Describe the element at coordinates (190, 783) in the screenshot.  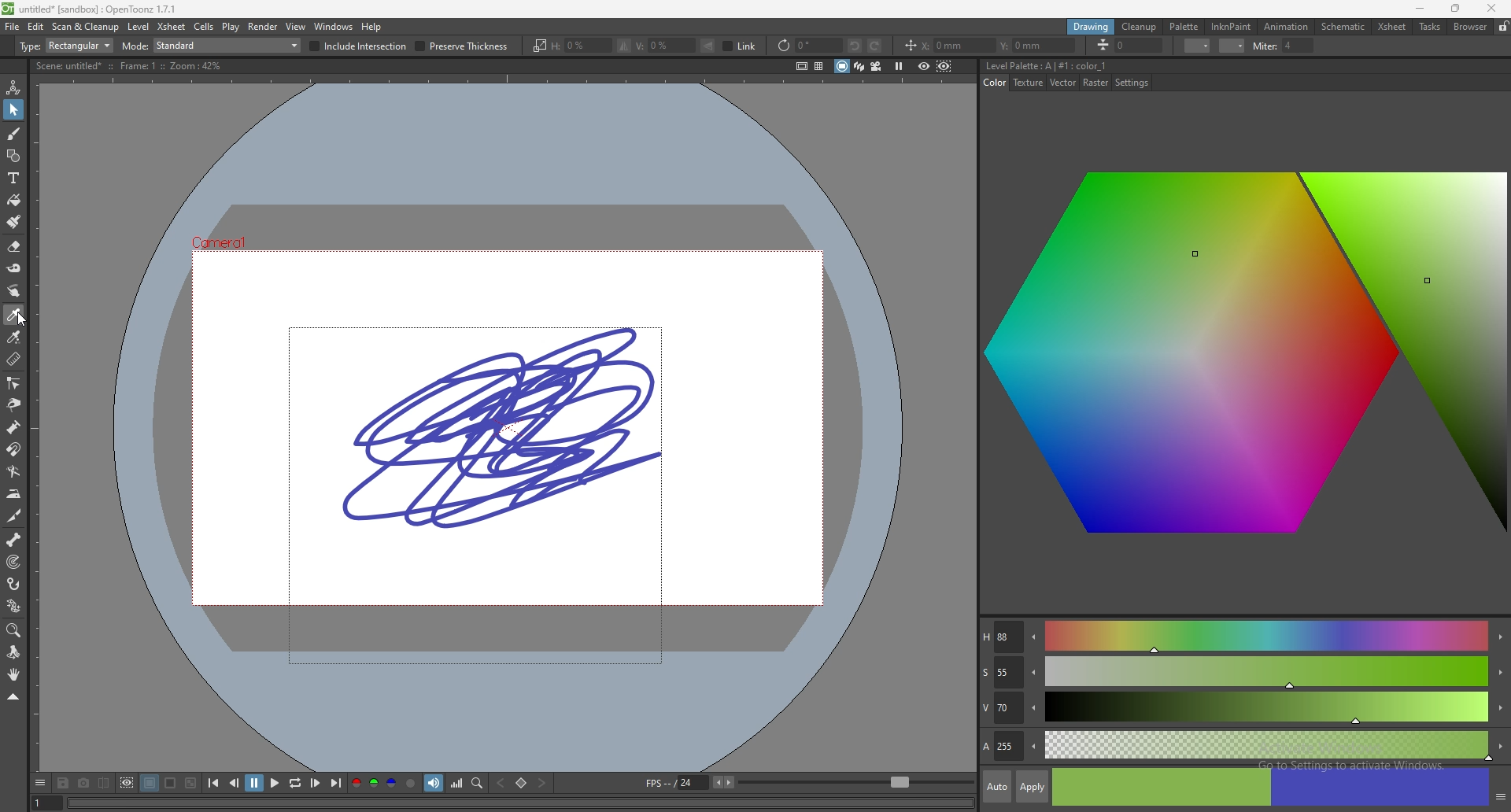
I see `checkered background` at that location.